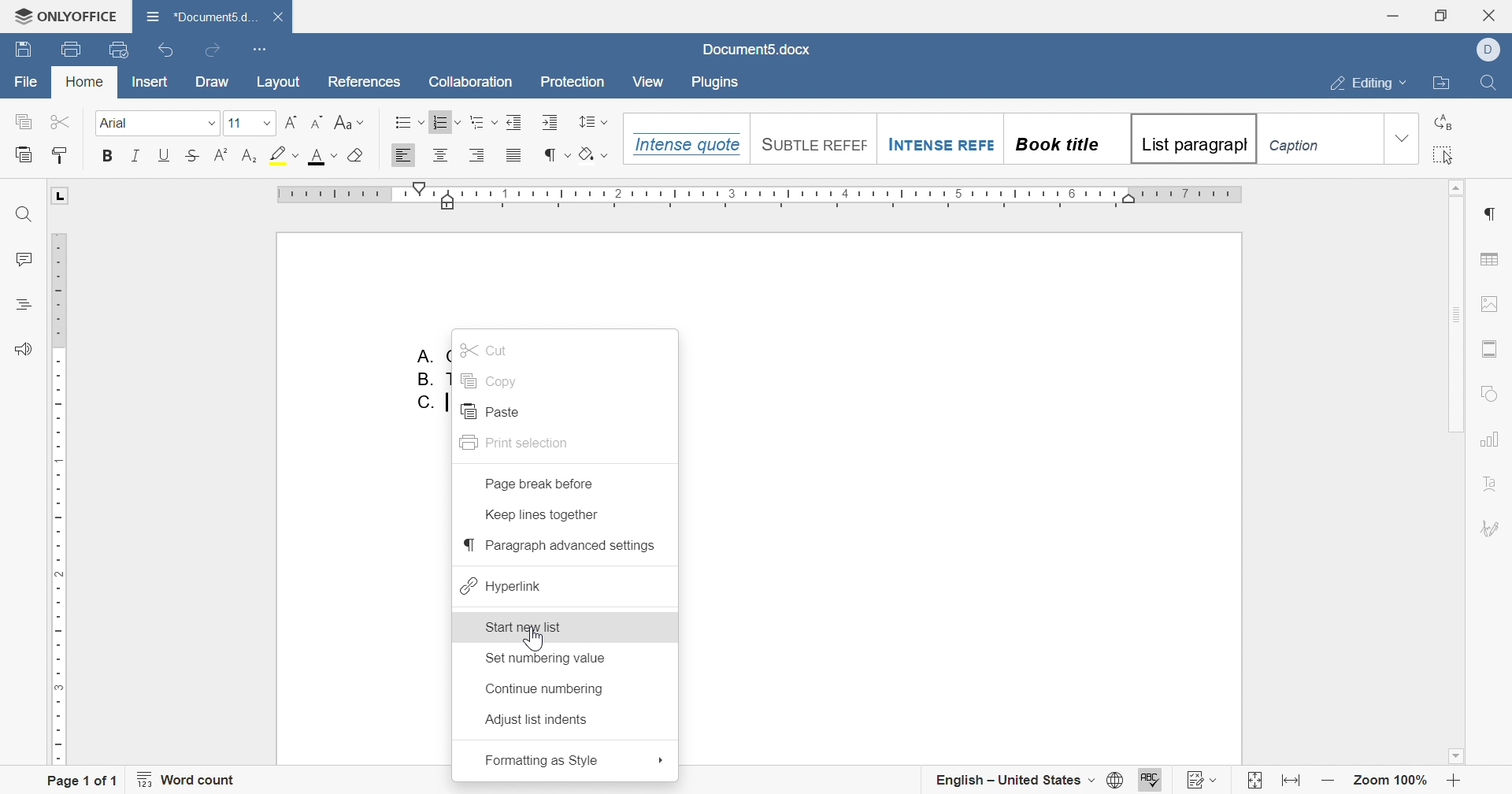 This screenshot has width=1512, height=794. Describe the element at coordinates (472, 81) in the screenshot. I see `Collaboration` at that location.